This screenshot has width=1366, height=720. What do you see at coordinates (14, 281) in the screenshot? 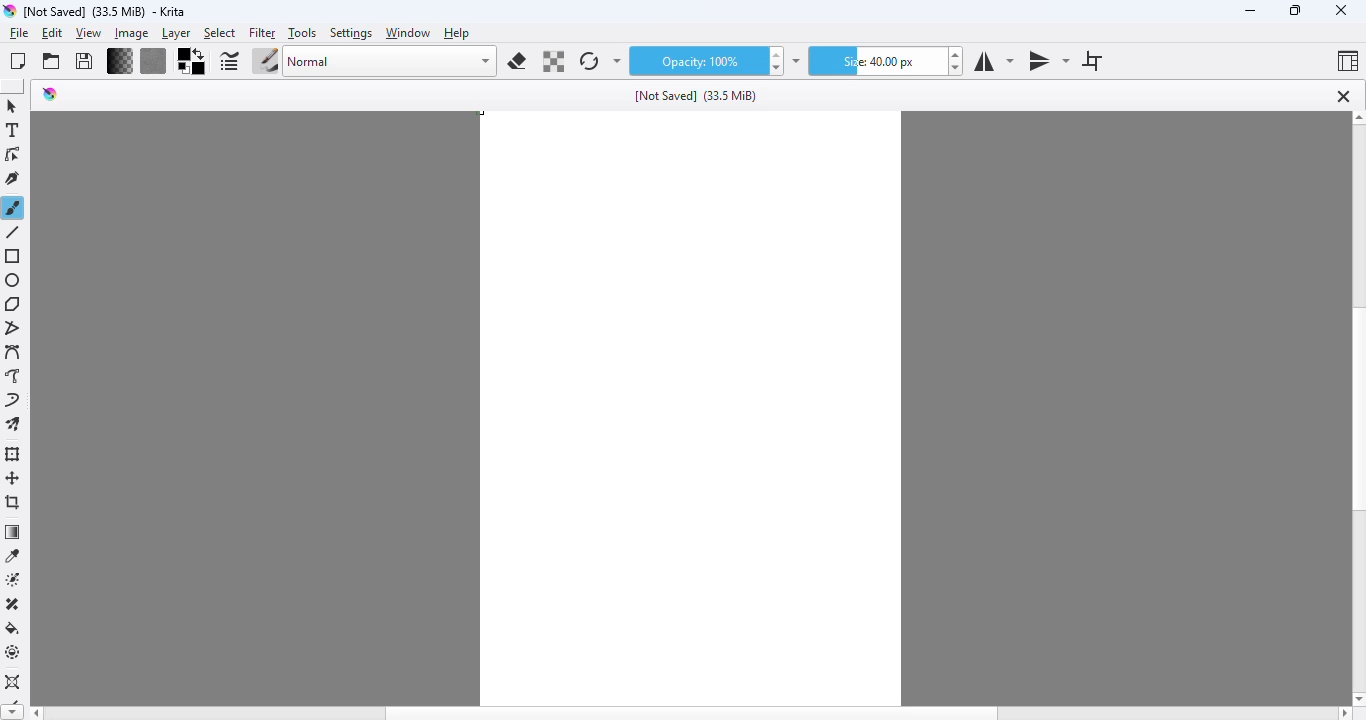
I see `ellipse tool` at bounding box center [14, 281].